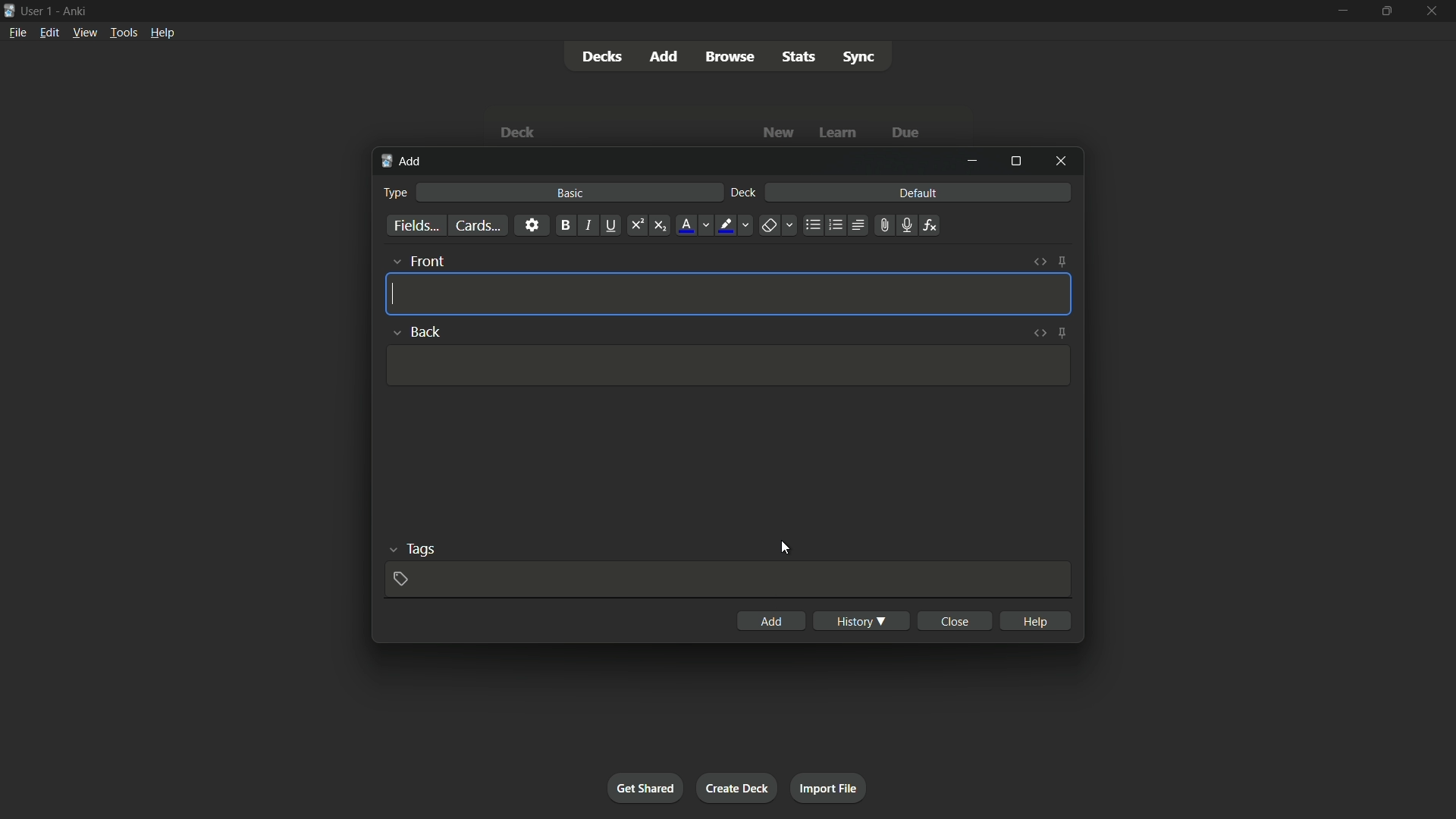 This screenshot has width=1456, height=819. Describe the element at coordinates (736, 226) in the screenshot. I see `highlight text` at that location.